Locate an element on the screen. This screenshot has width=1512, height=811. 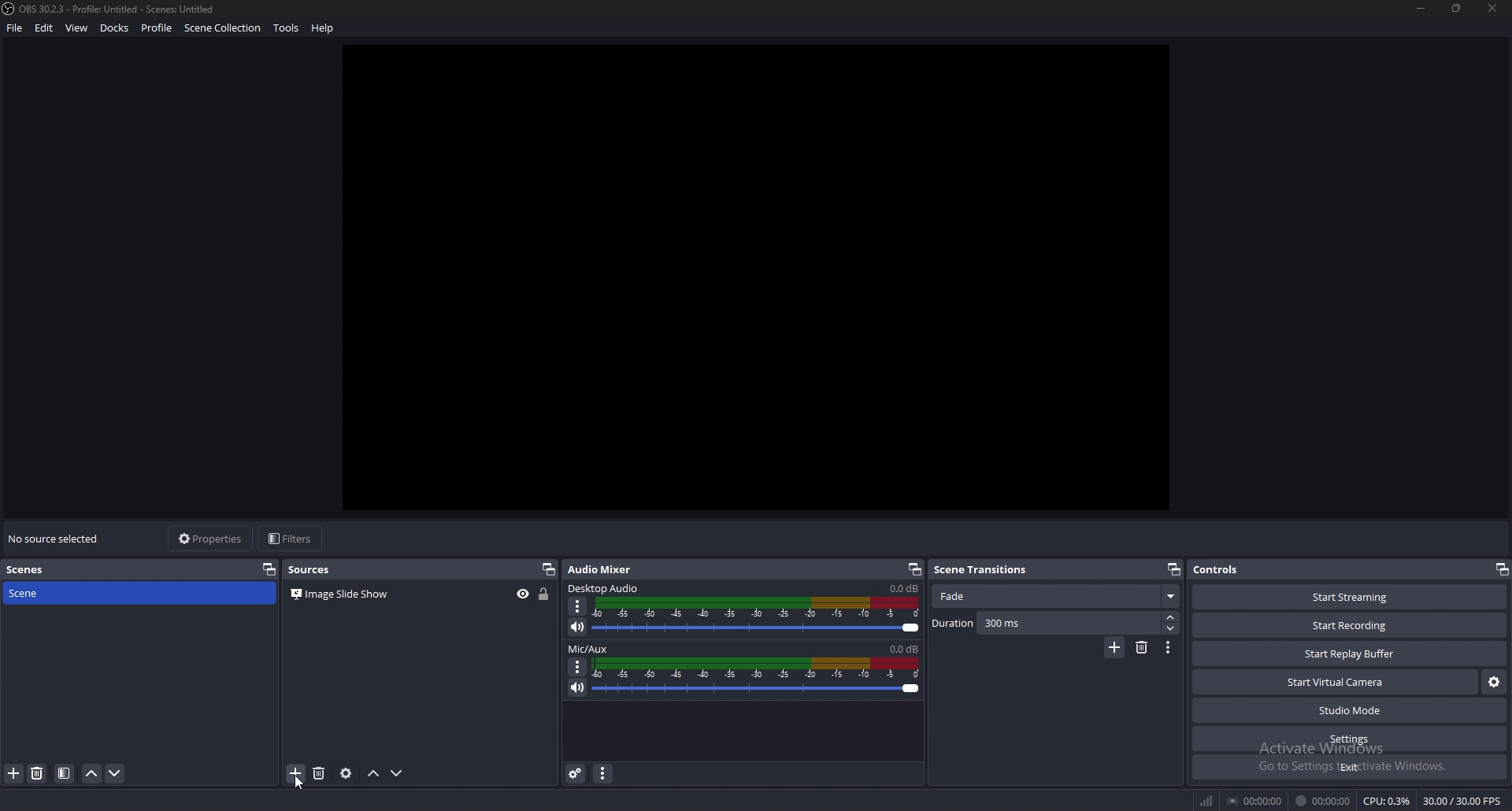
network is located at coordinates (1207, 802).